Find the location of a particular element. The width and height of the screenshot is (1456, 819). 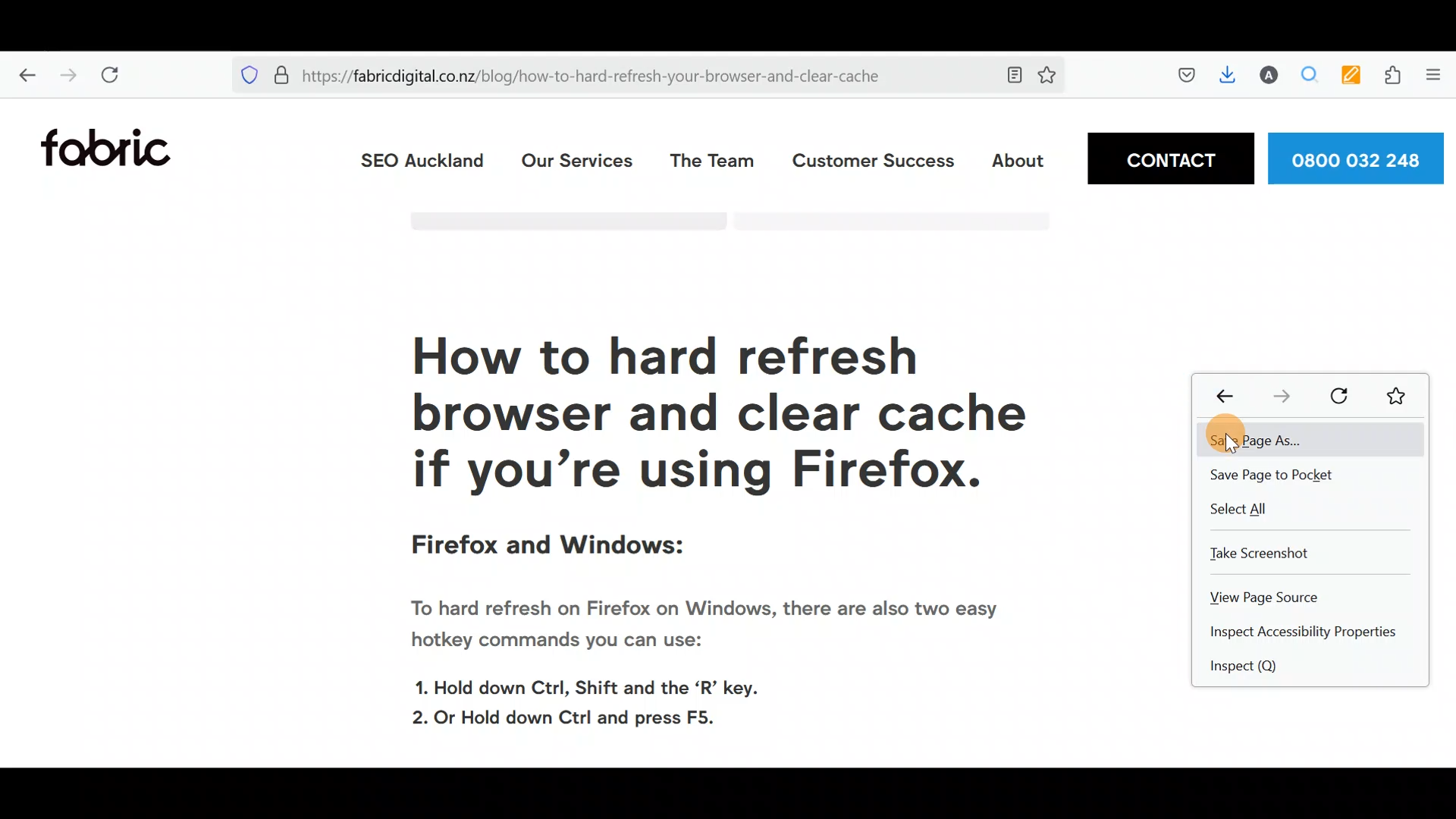

Toggle reader view is located at coordinates (1018, 74).